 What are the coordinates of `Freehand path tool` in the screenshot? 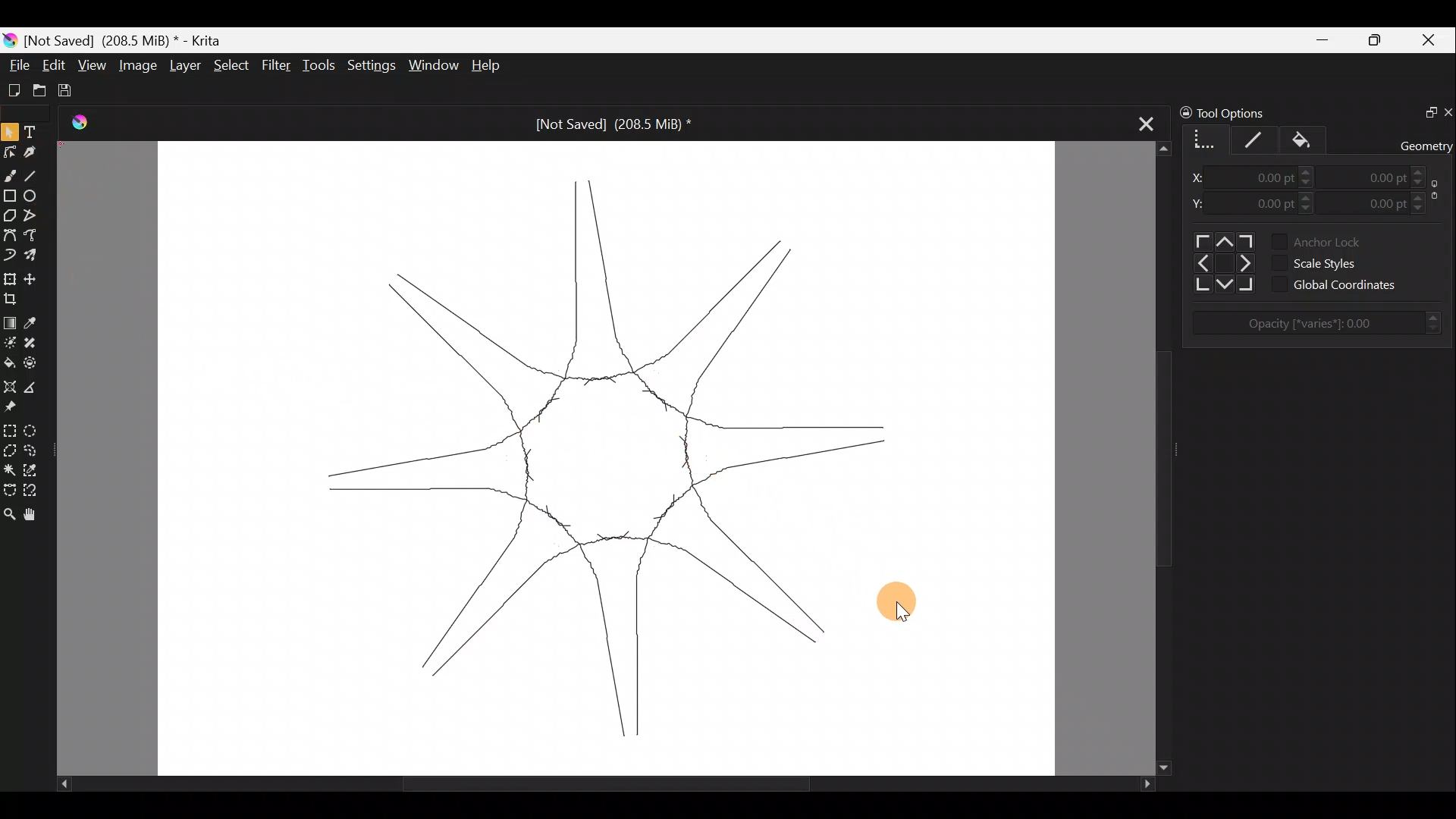 It's located at (33, 238).